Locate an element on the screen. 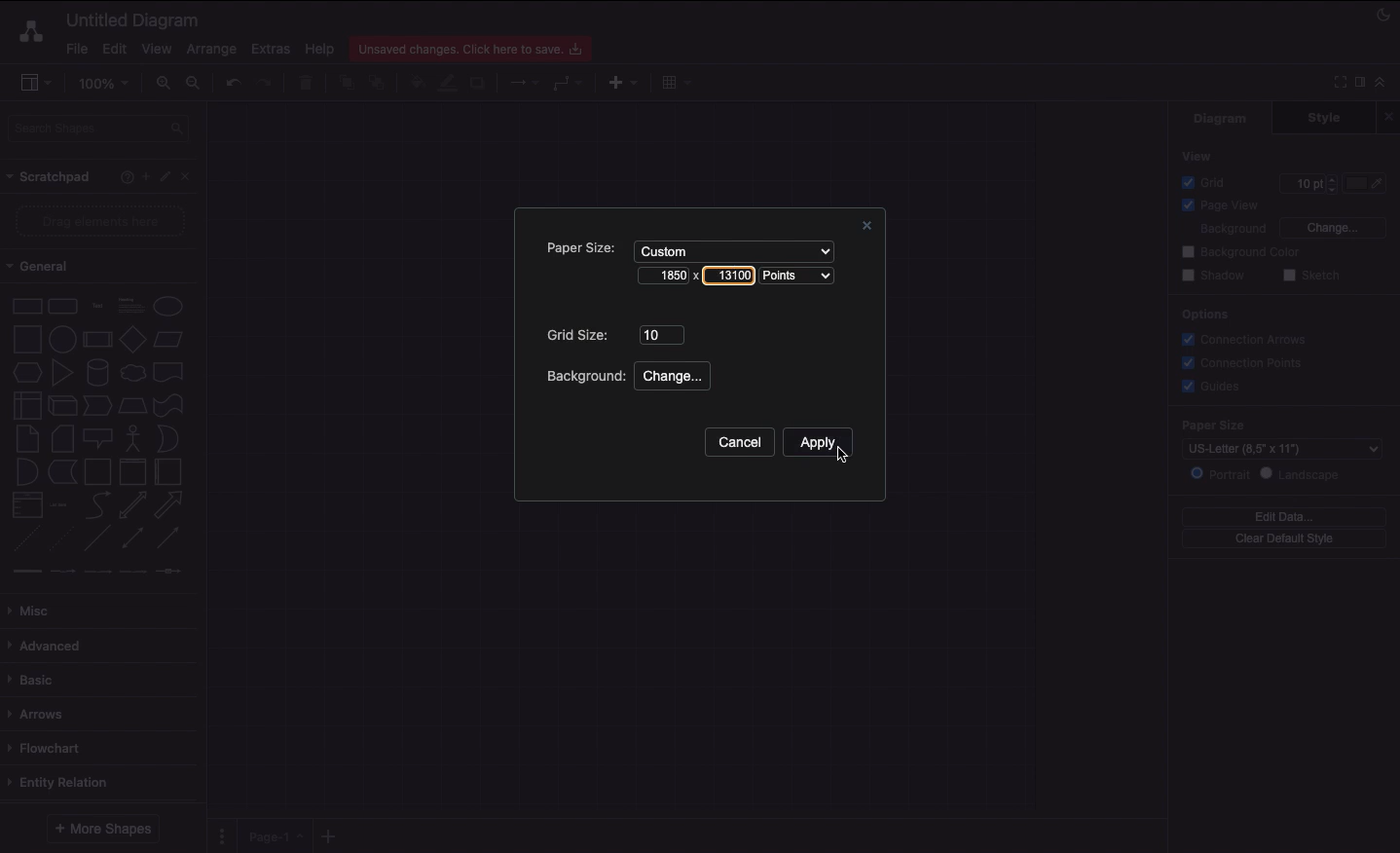 This screenshot has height=853, width=1400. Sidebar  is located at coordinates (35, 84).